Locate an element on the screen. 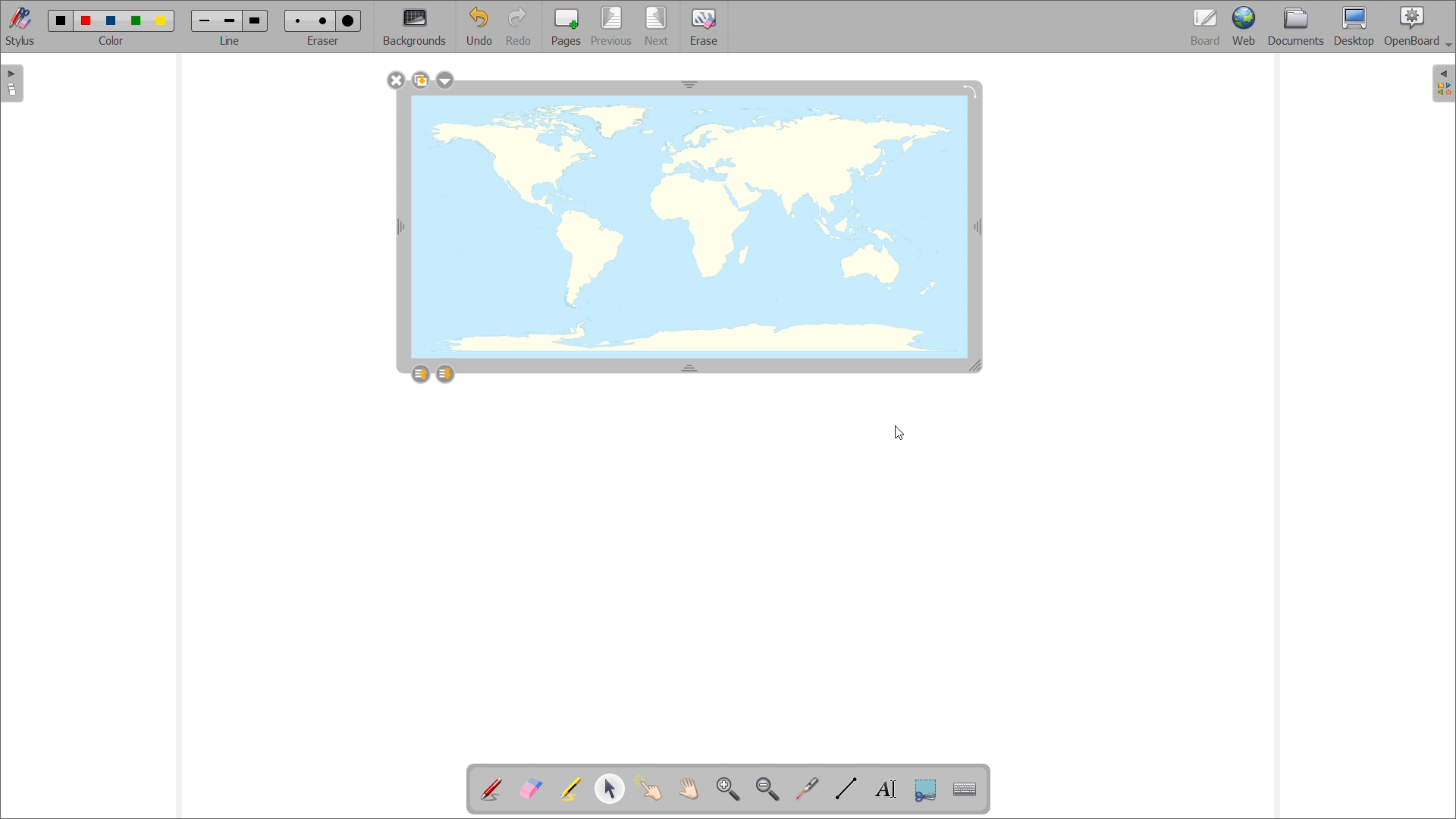 Image resolution: width=1456 pixels, height=819 pixels. small is located at coordinates (298, 21).